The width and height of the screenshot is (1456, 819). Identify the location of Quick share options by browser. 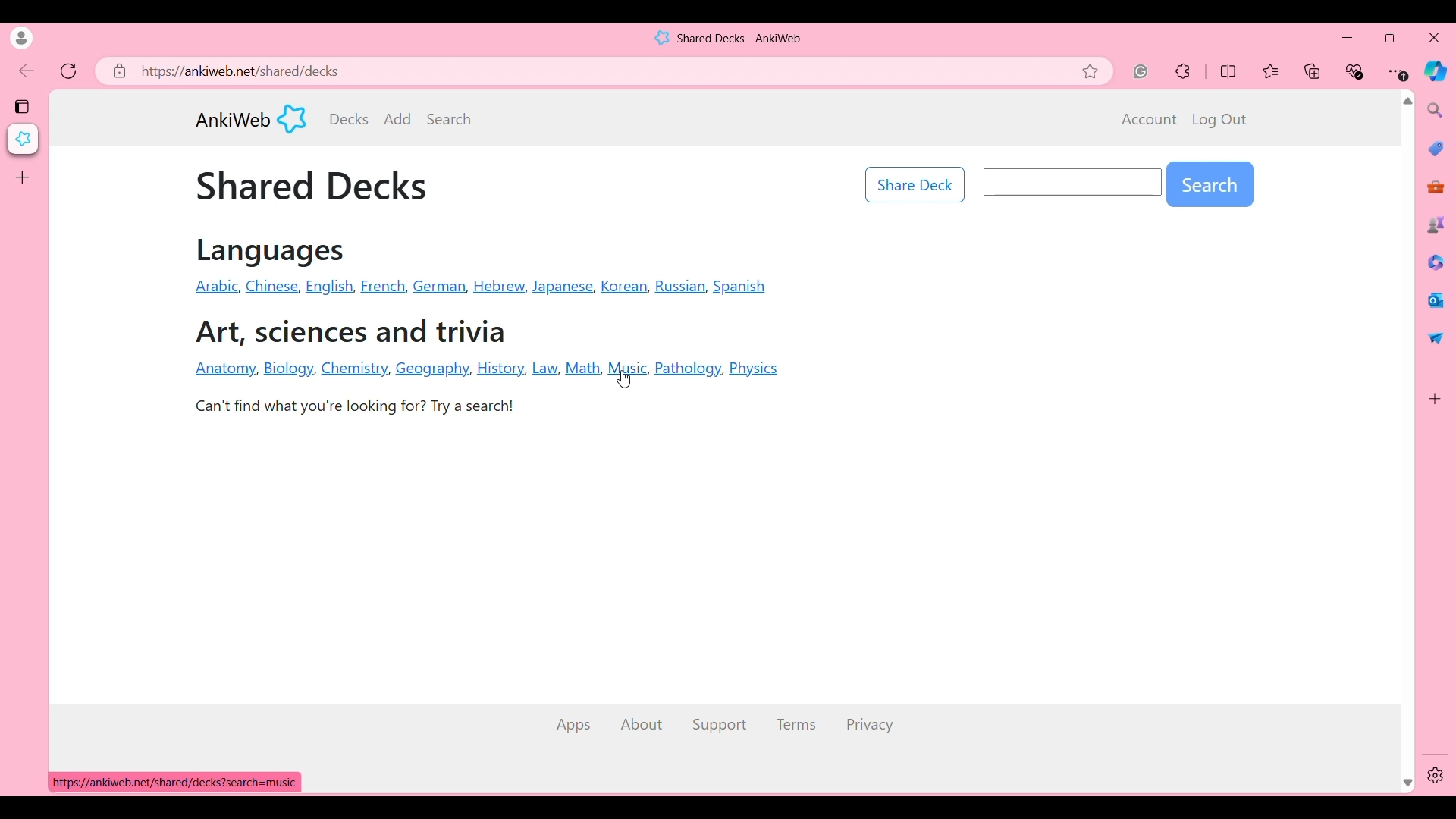
(1436, 337).